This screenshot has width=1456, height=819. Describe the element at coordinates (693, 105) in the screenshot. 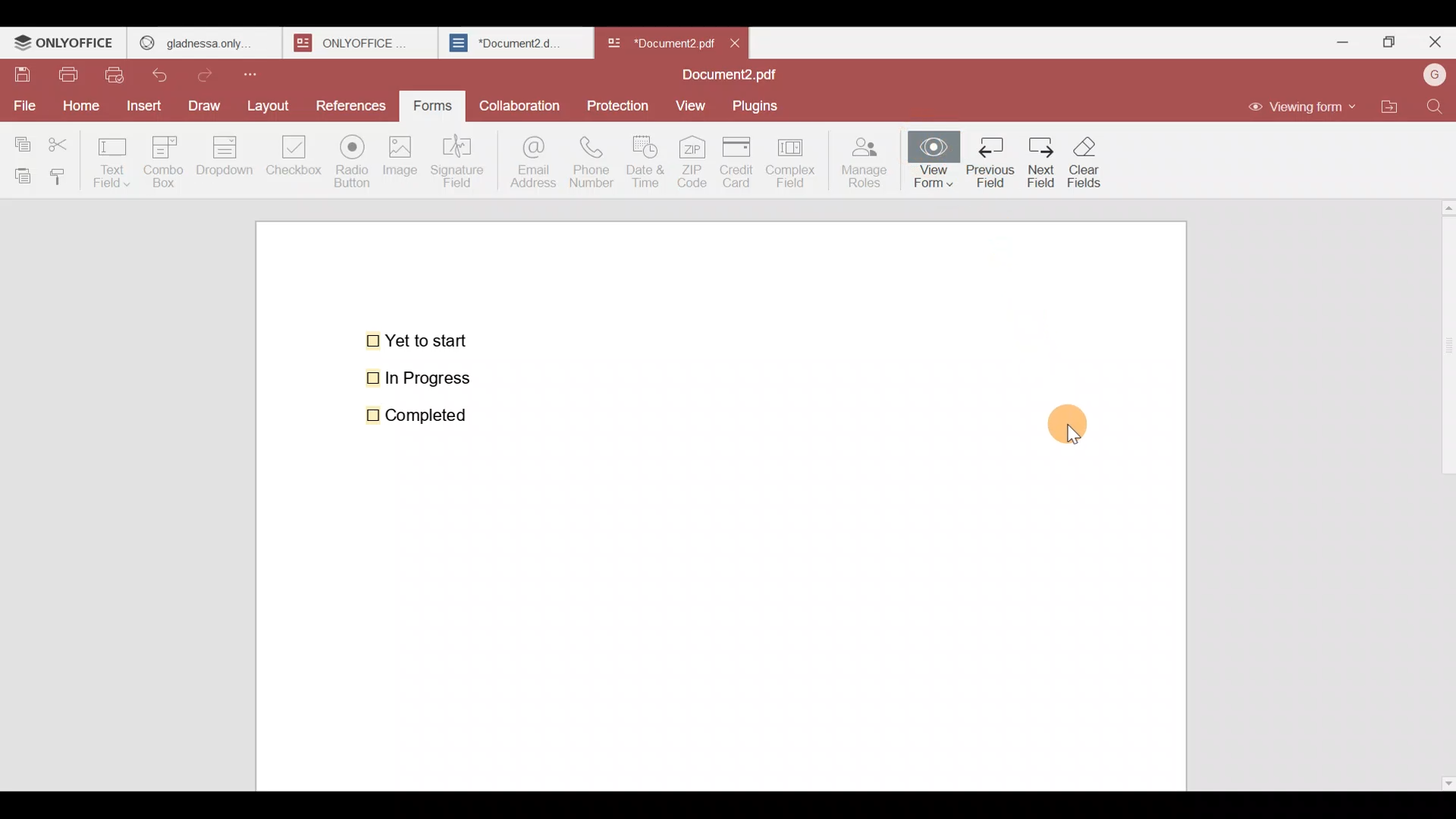

I see `View` at that location.